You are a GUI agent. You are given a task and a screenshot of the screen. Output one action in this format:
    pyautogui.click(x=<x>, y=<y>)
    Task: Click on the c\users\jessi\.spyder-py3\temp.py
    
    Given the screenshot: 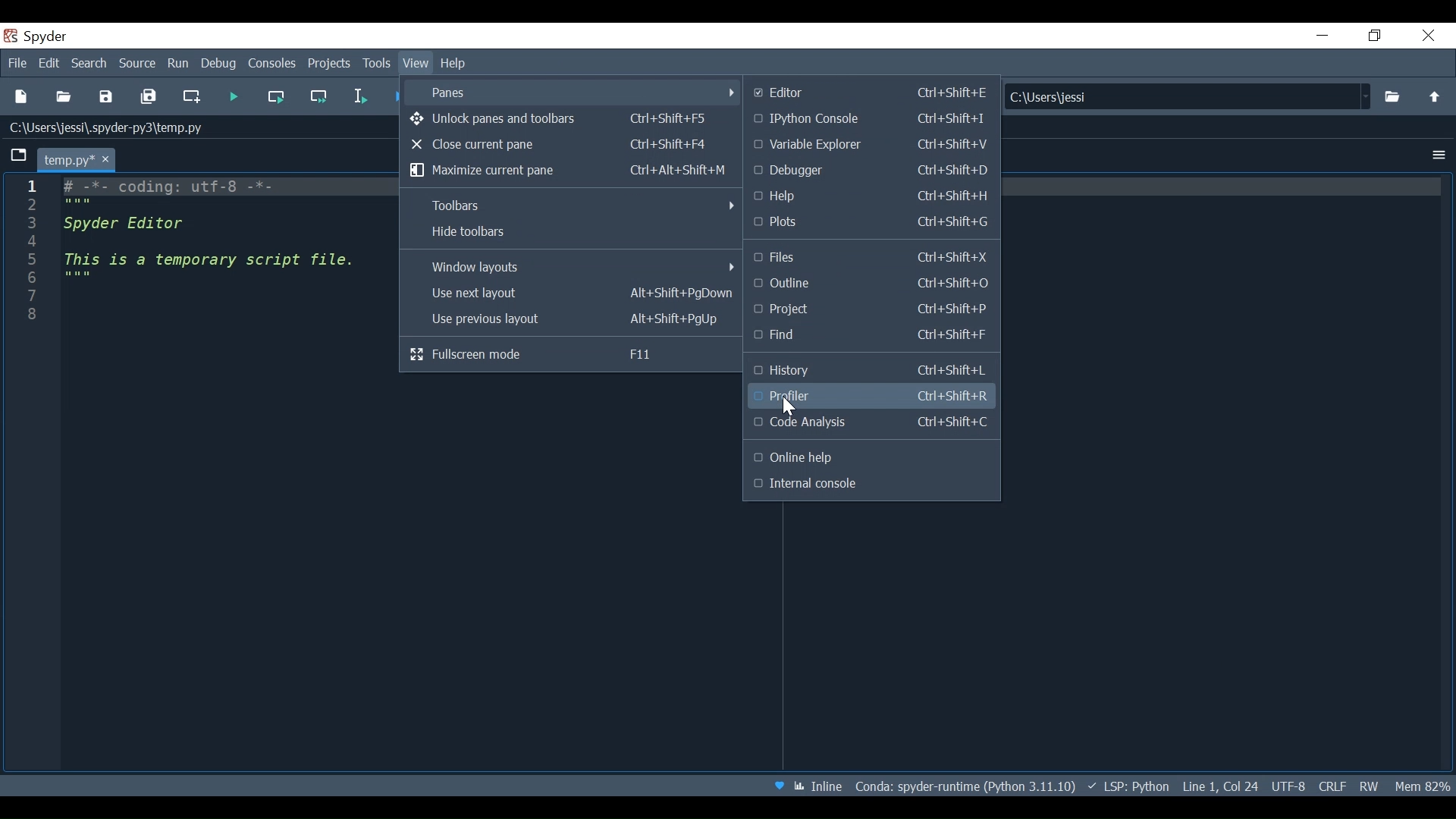 What is the action you would take?
    pyautogui.click(x=111, y=129)
    